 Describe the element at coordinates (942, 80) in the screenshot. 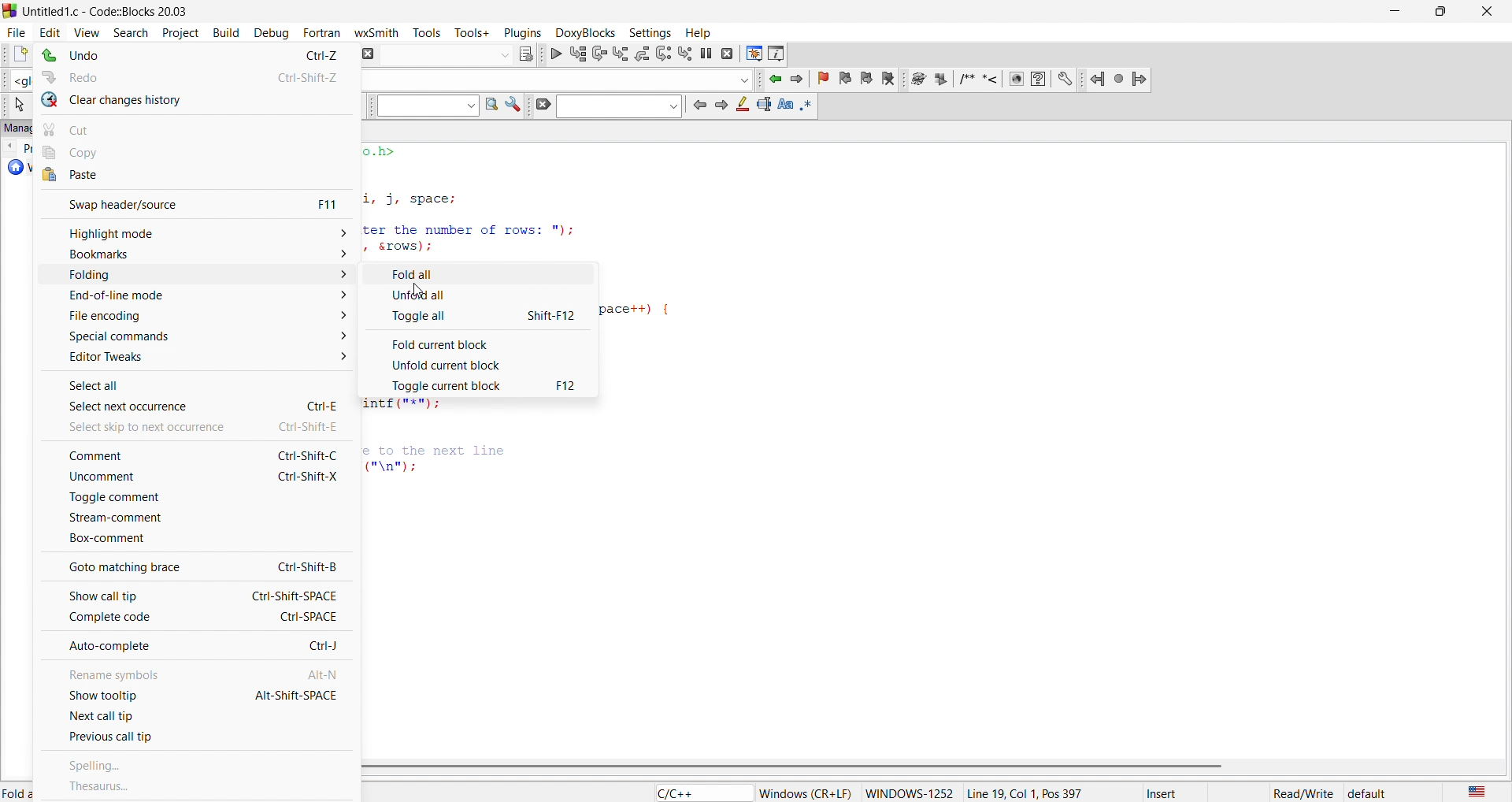

I see `extract` at that location.